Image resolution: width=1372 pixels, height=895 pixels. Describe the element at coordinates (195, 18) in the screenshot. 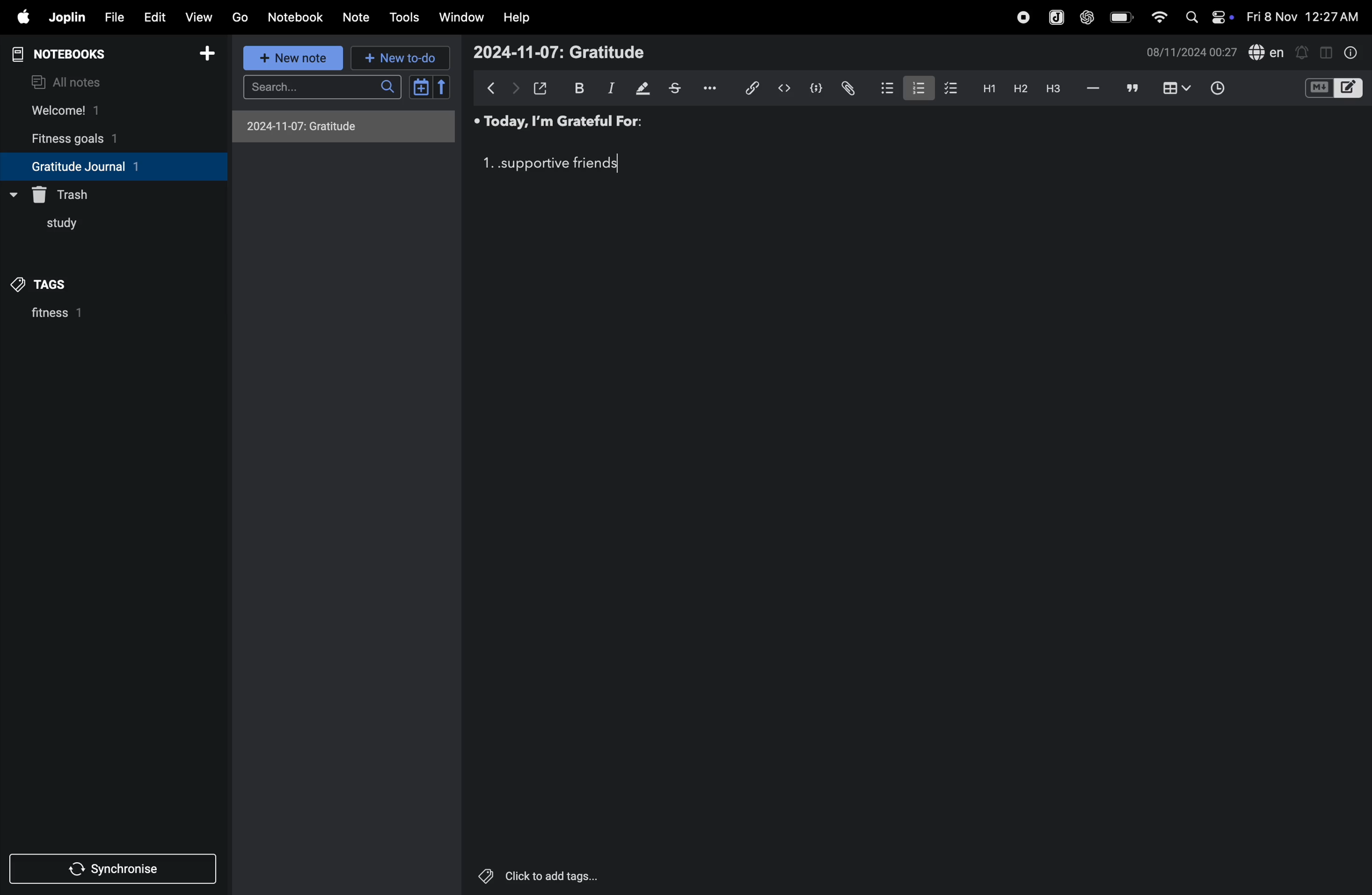

I see `view` at that location.